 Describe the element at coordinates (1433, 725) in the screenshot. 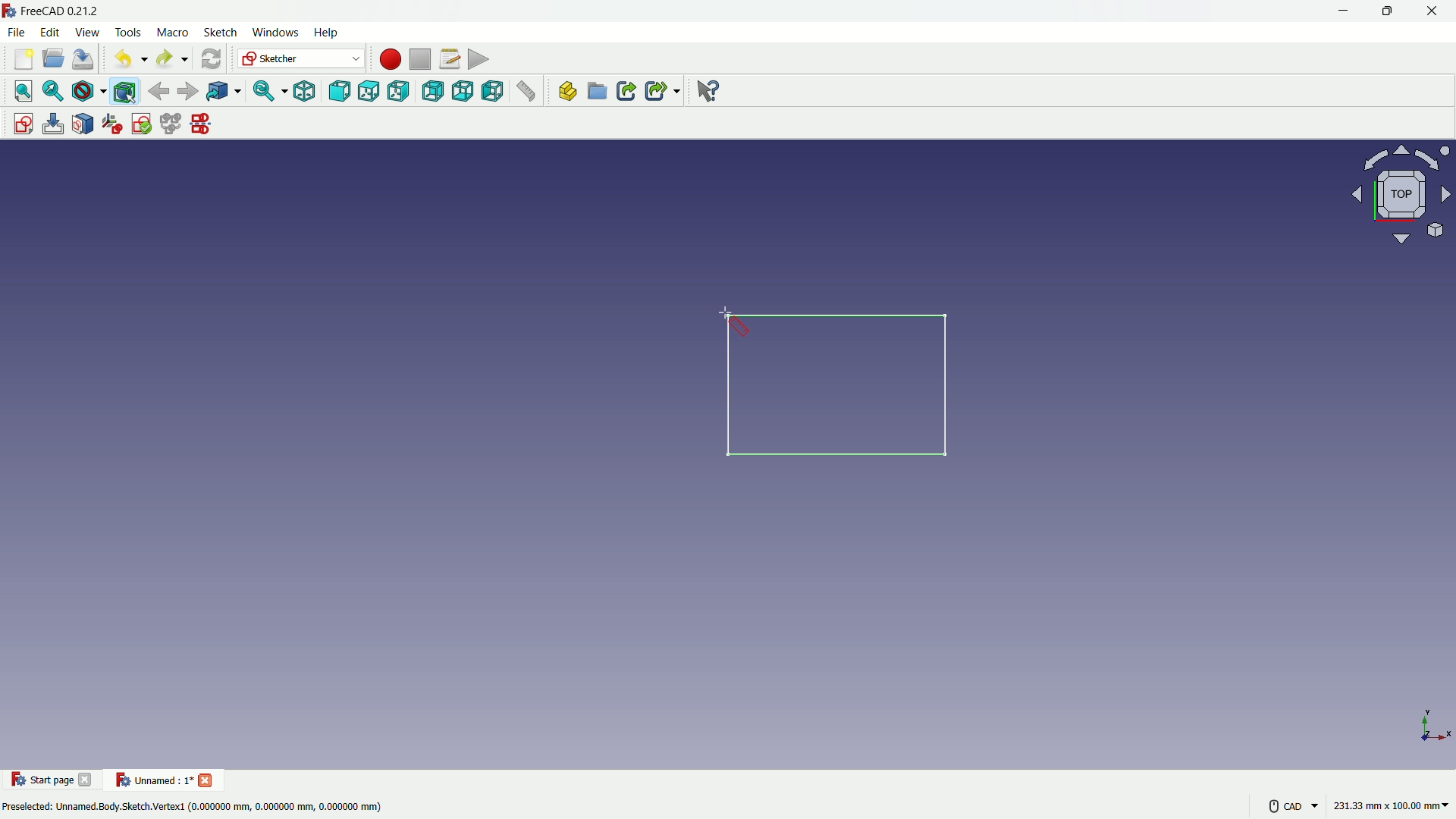

I see `placement axes` at that location.